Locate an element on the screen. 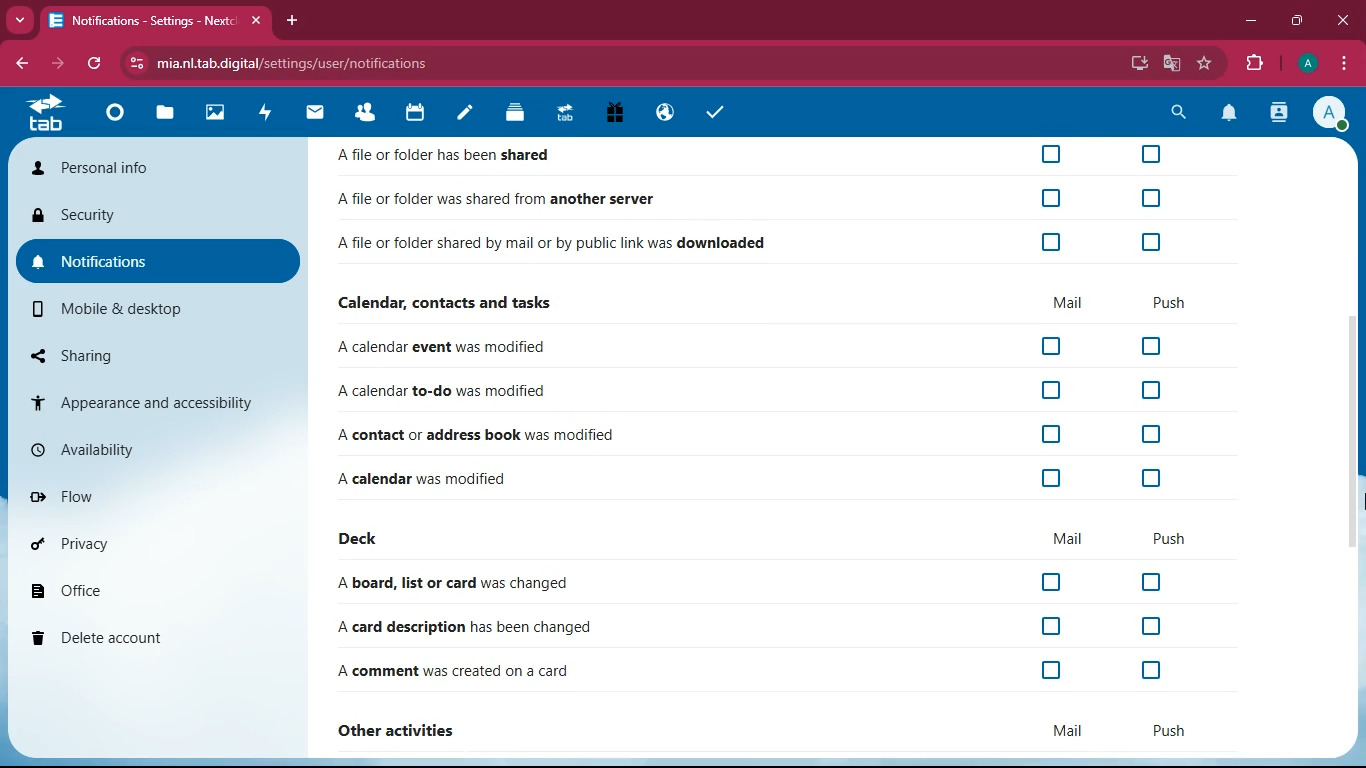  A contact or address book was modified is located at coordinates (484, 437).